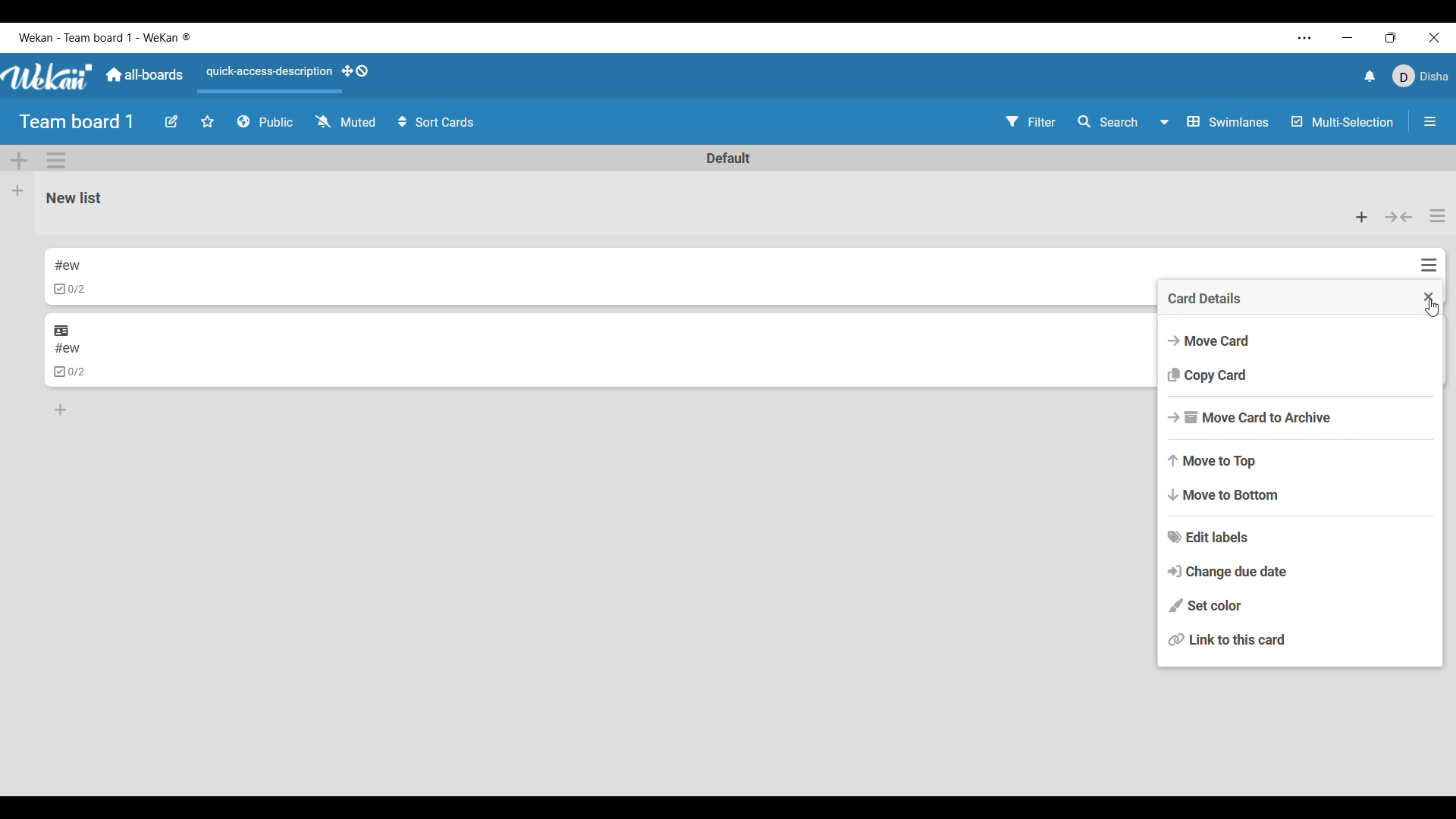 The width and height of the screenshot is (1456, 819). Describe the element at coordinates (438, 122) in the screenshot. I see `Sort cards` at that location.